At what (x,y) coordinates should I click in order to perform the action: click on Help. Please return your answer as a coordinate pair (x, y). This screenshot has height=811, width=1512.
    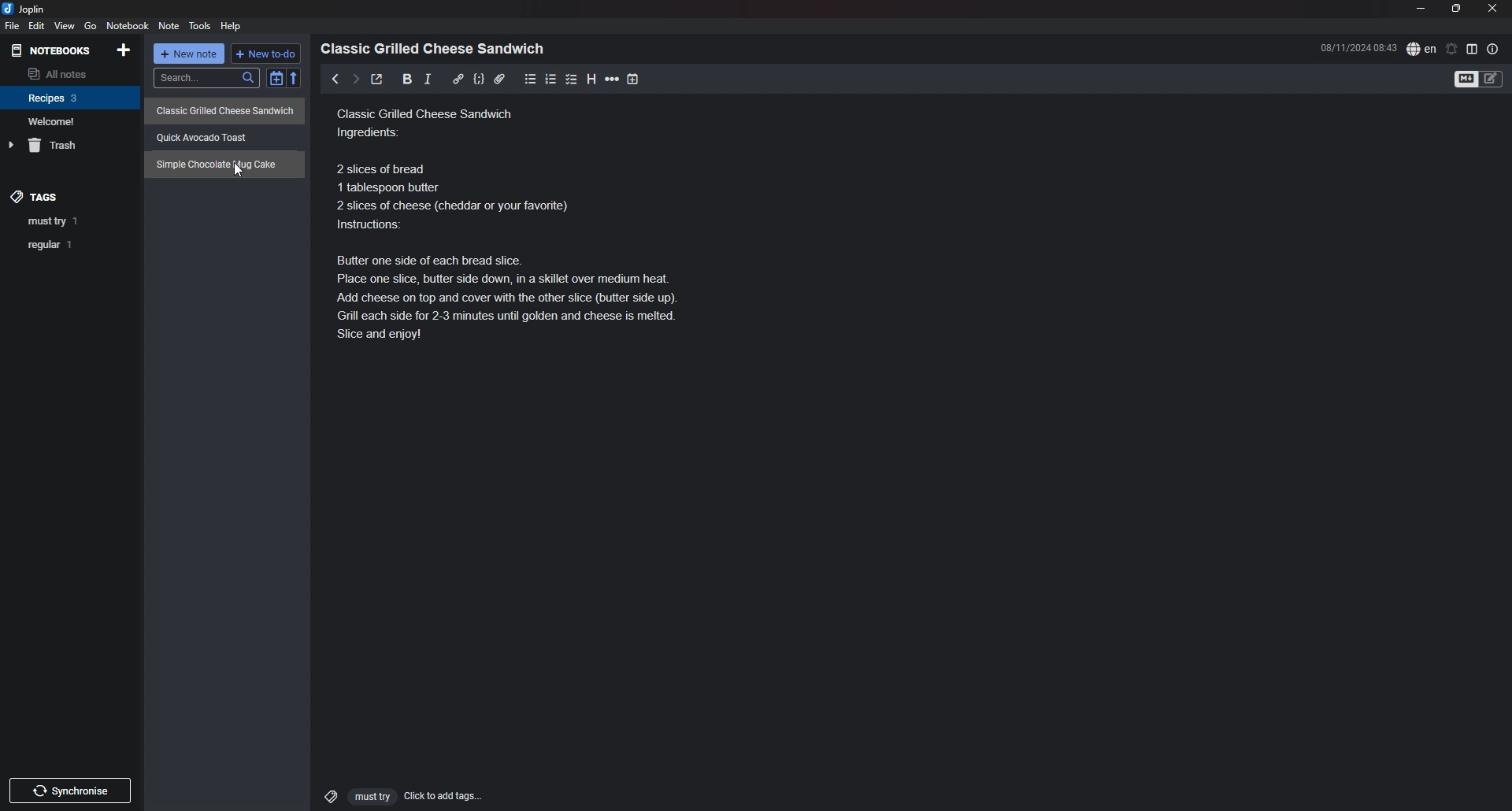
    Looking at the image, I should click on (232, 25).